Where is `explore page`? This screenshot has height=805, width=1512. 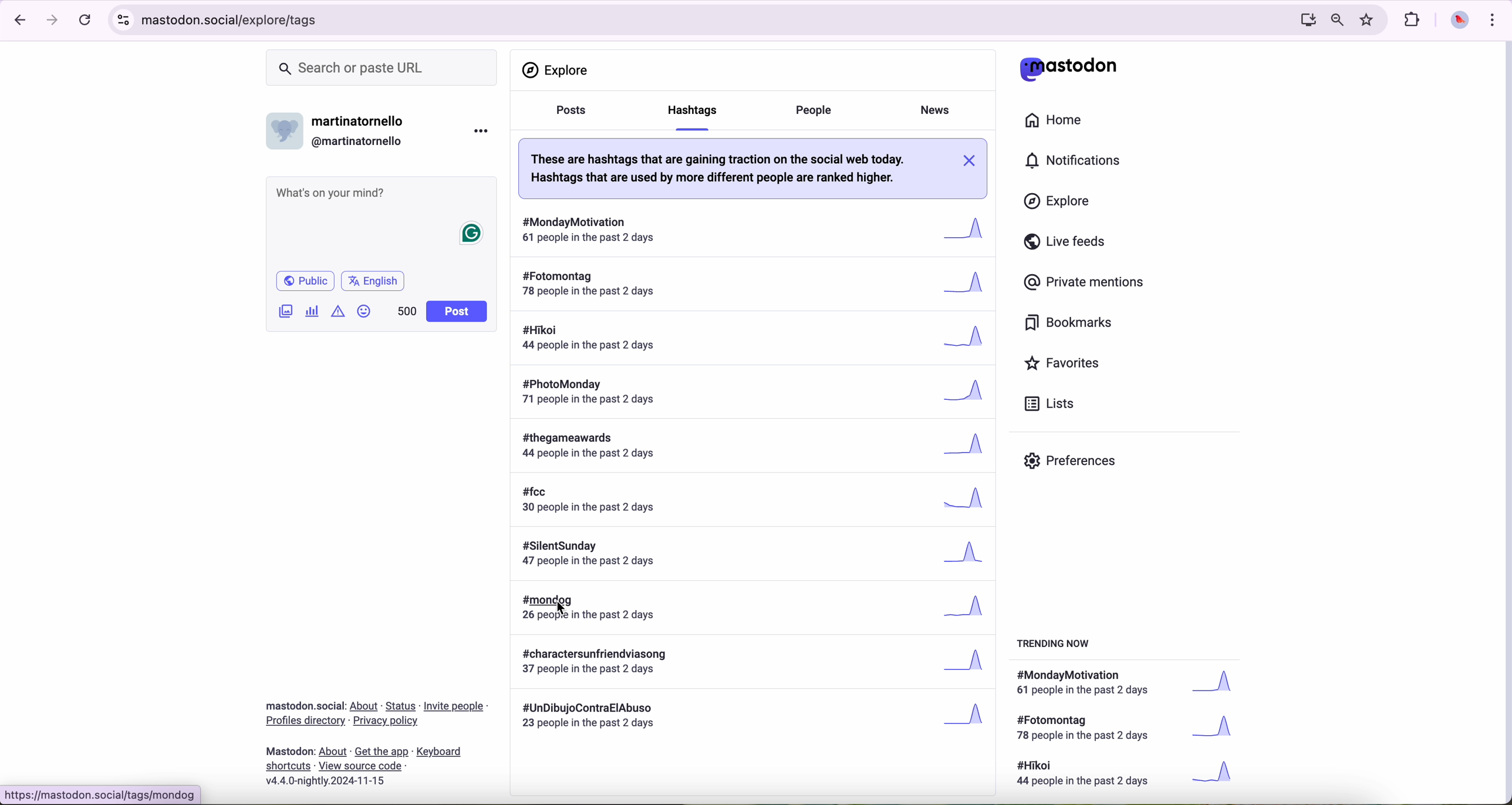
explore page is located at coordinates (558, 70).